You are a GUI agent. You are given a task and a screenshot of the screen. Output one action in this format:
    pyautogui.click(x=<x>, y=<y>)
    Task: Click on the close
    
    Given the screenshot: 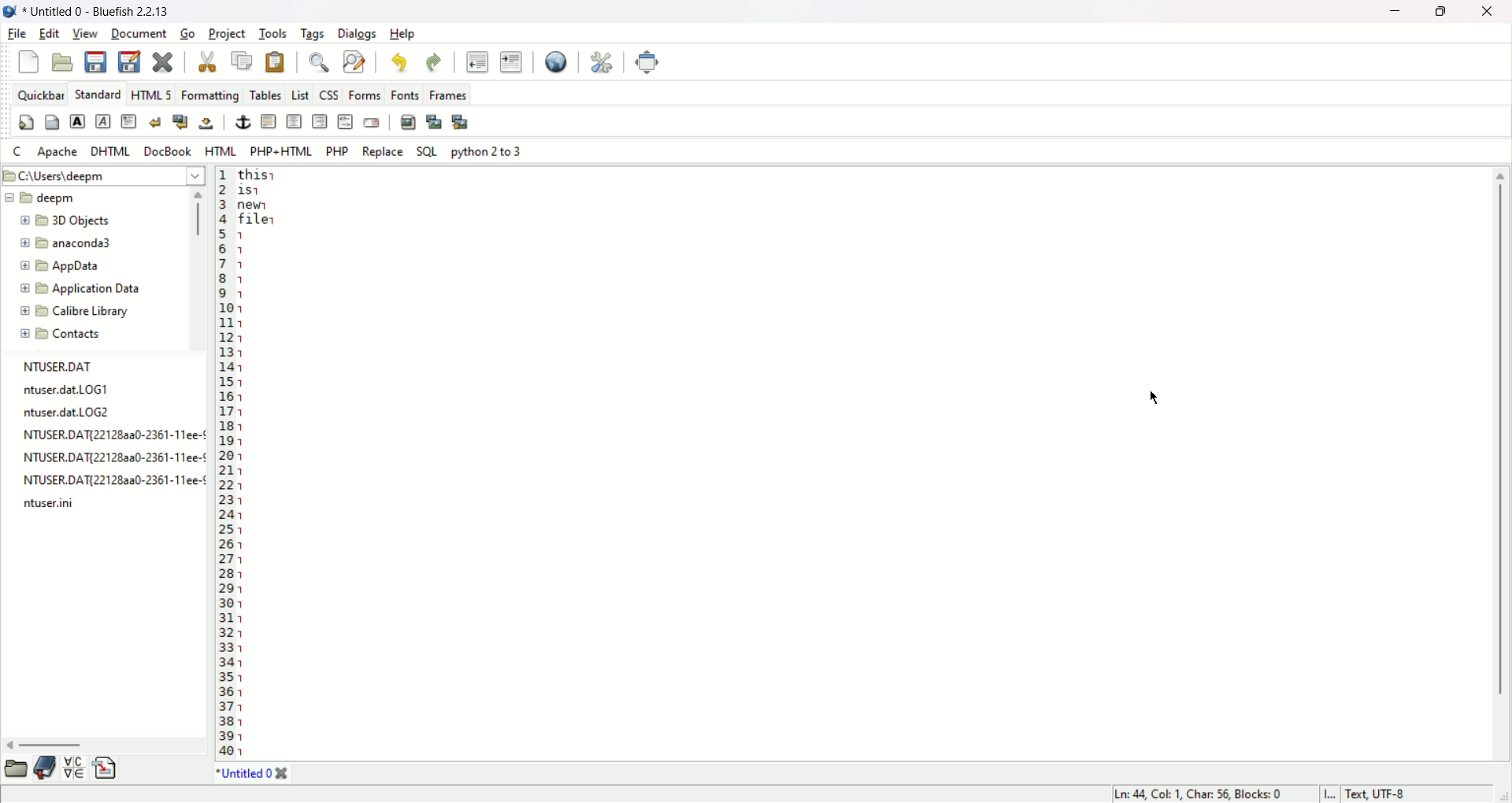 What is the action you would take?
    pyautogui.click(x=164, y=63)
    